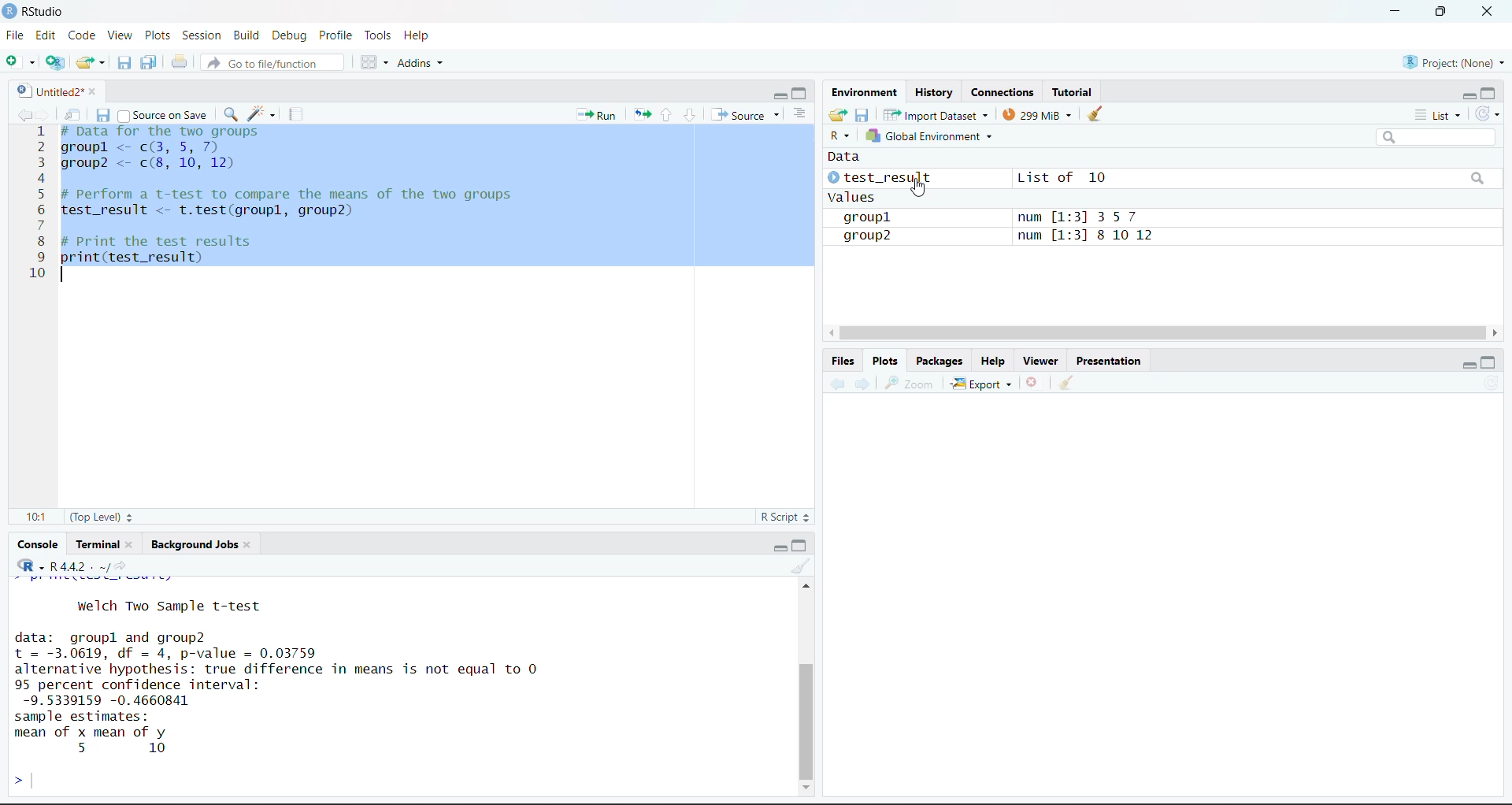  What do you see at coordinates (1162, 332) in the screenshot?
I see `horizontal scroll bar` at bounding box center [1162, 332].